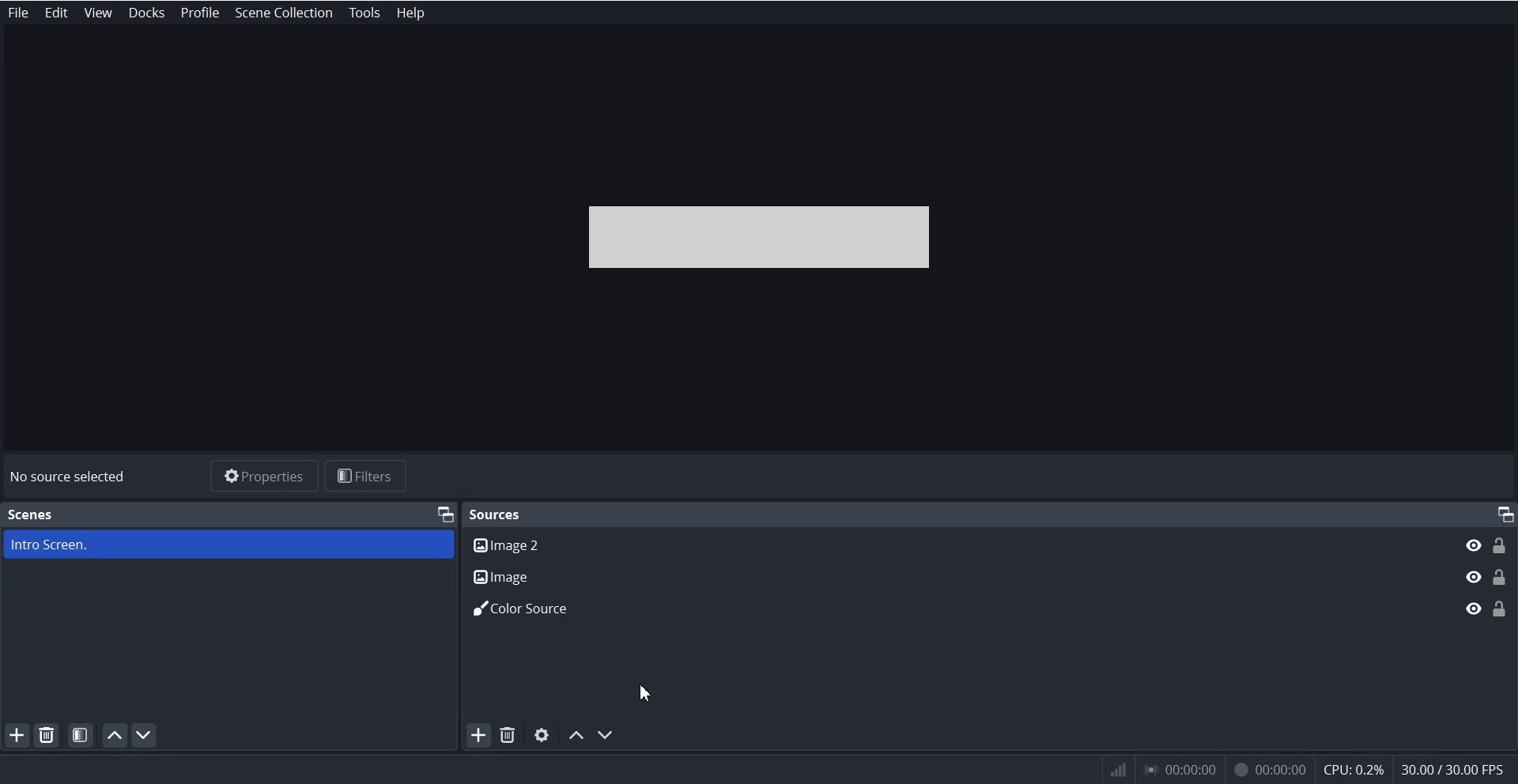 Image resolution: width=1518 pixels, height=784 pixels. I want to click on Lock, so click(1501, 575).